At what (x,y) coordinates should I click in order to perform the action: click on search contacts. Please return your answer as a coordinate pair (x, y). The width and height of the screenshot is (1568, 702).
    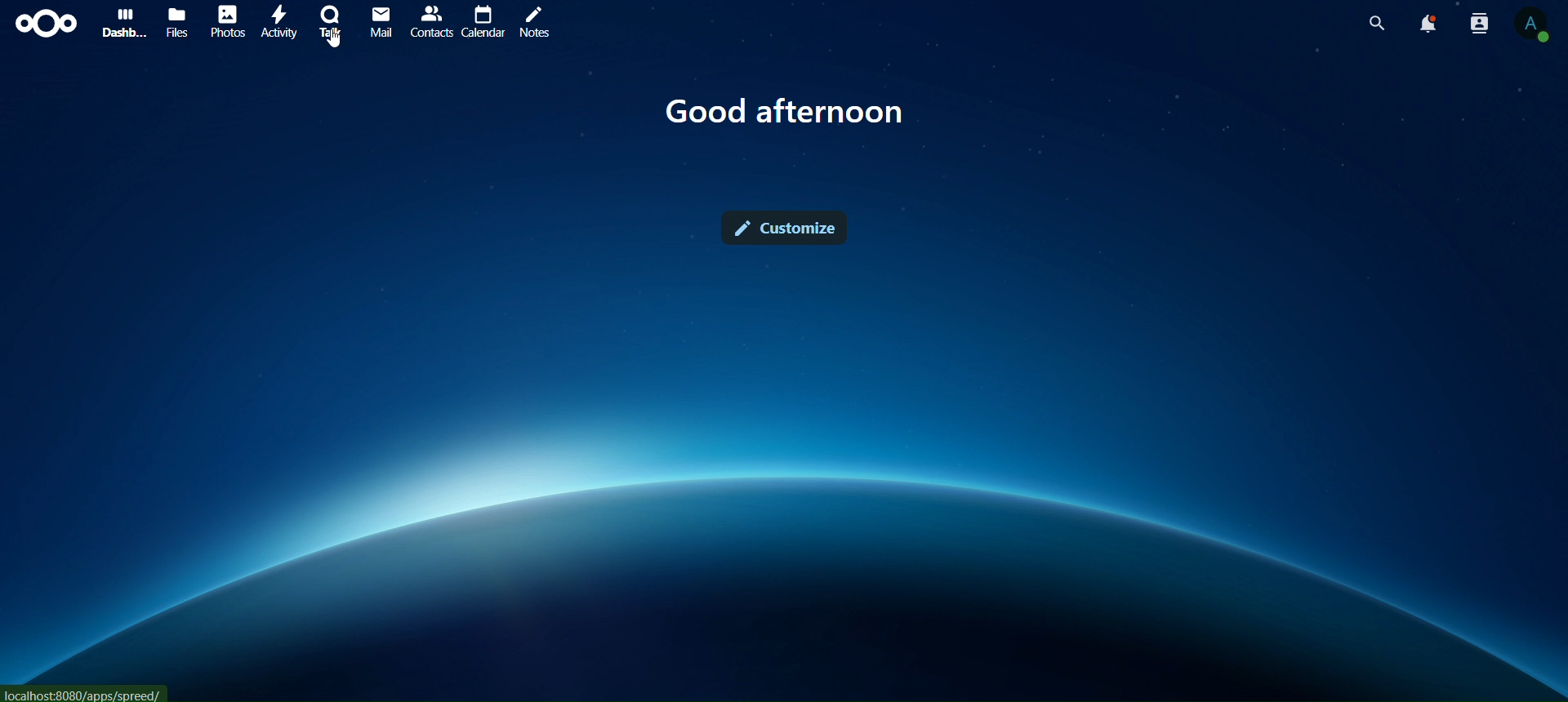
    Looking at the image, I should click on (1376, 23).